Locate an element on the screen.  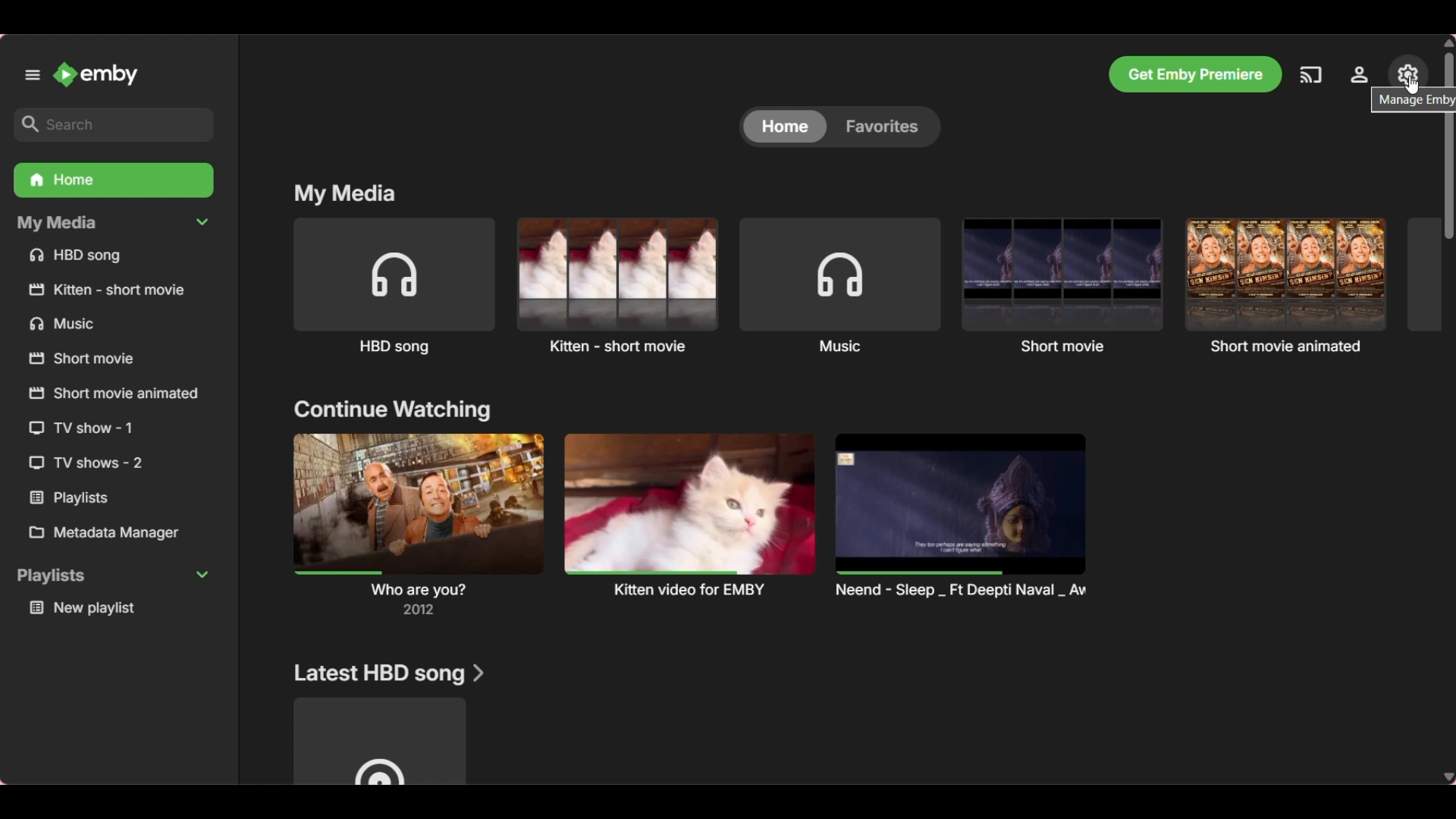
Short movie is located at coordinates (1062, 286).